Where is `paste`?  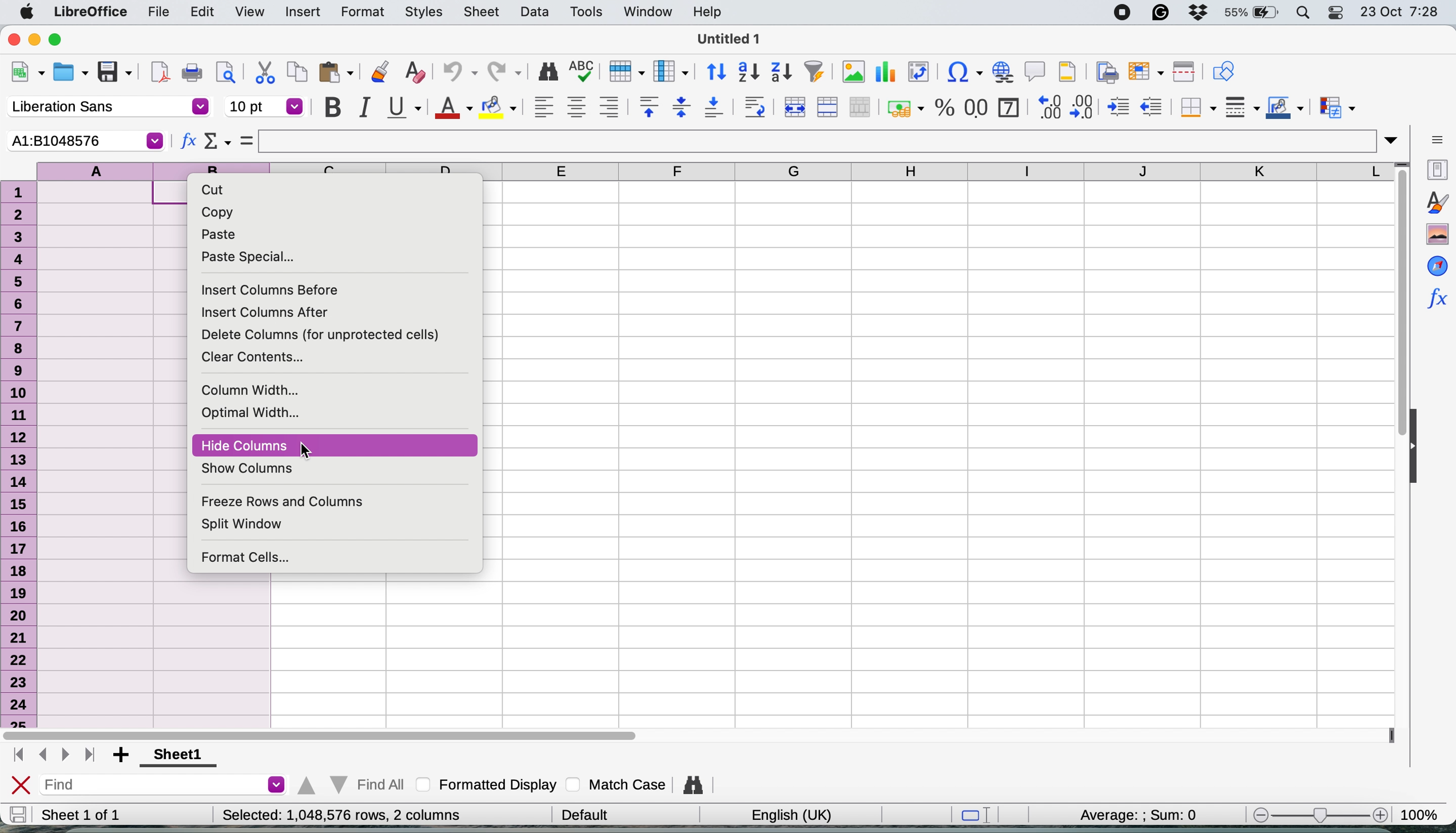 paste is located at coordinates (339, 74).